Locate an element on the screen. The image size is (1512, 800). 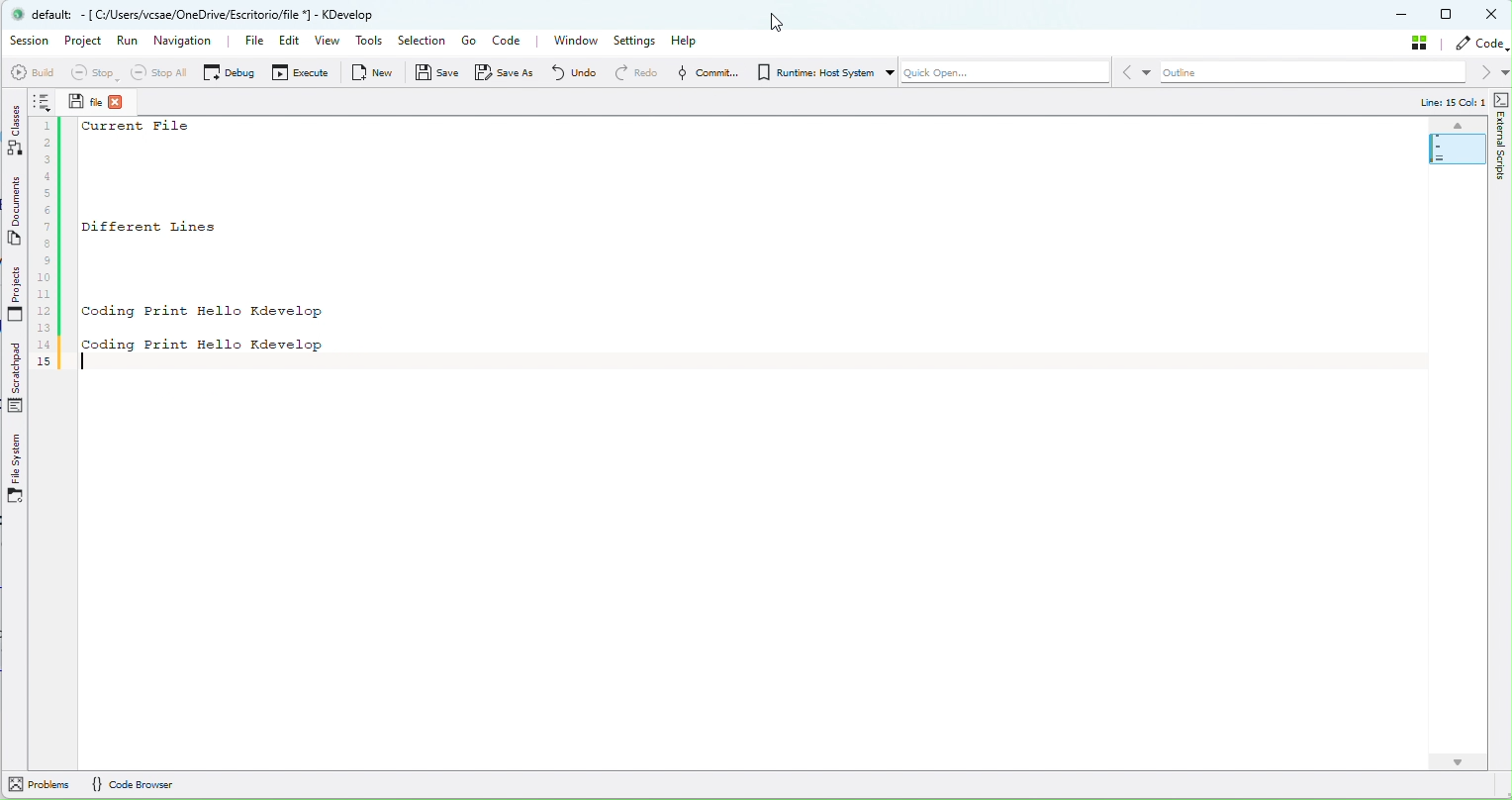
Classes is located at coordinates (16, 129).